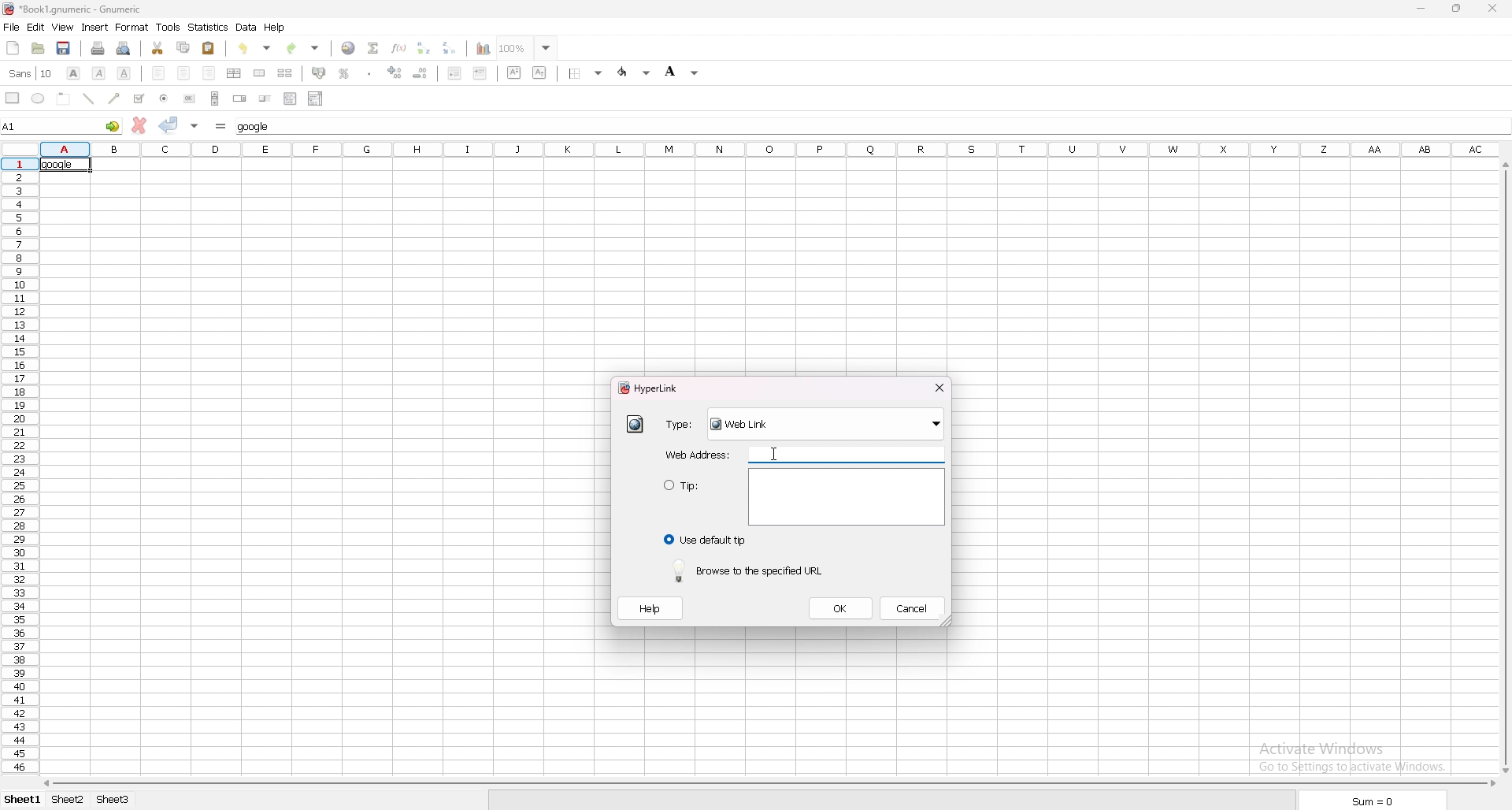 The image size is (1512, 810). Describe the element at coordinates (74, 73) in the screenshot. I see `bold` at that location.